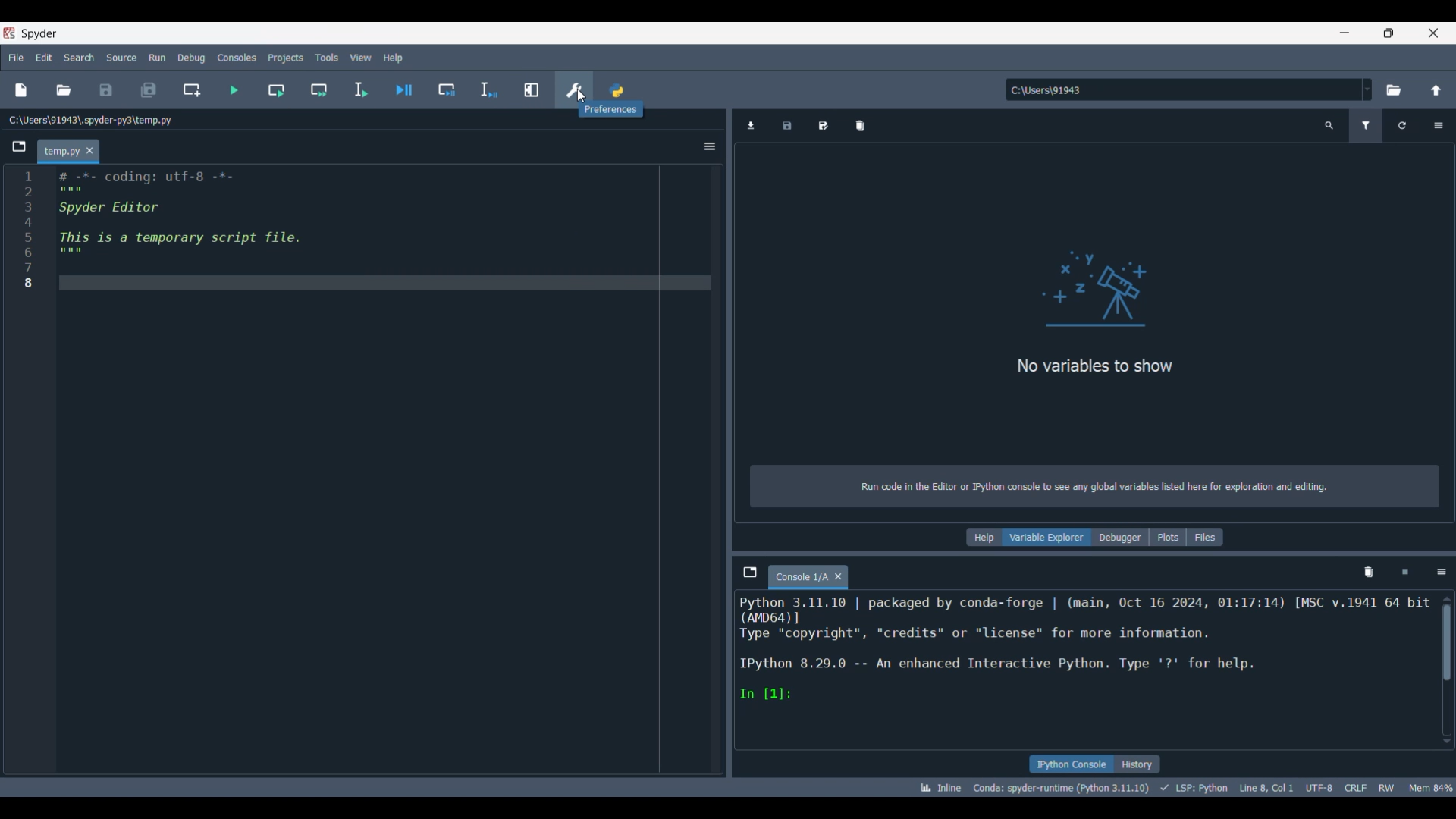  What do you see at coordinates (1439, 126) in the screenshot?
I see `Options` at bounding box center [1439, 126].